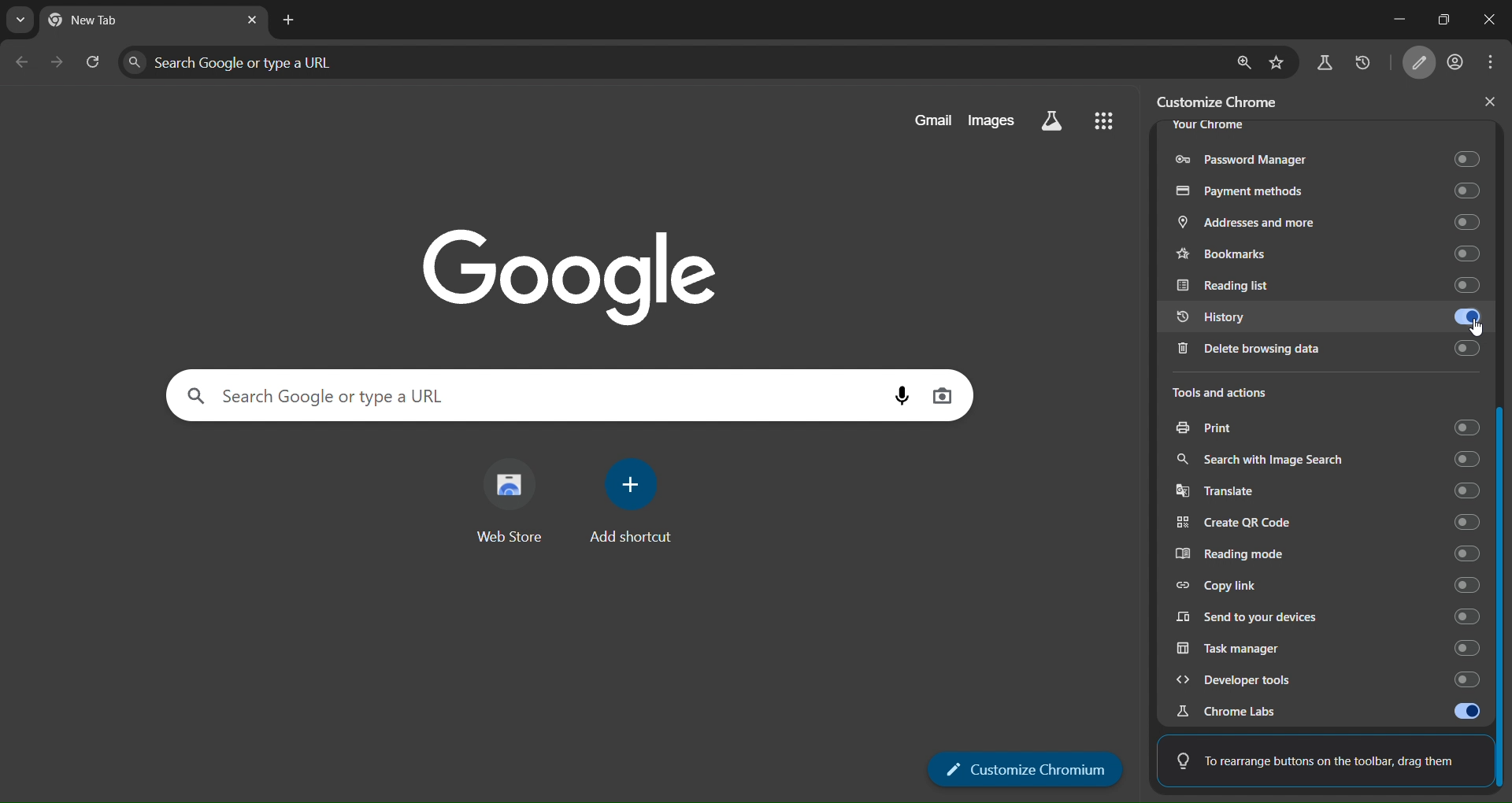  What do you see at coordinates (1329, 253) in the screenshot?
I see `bookmarks` at bounding box center [1329, 253].